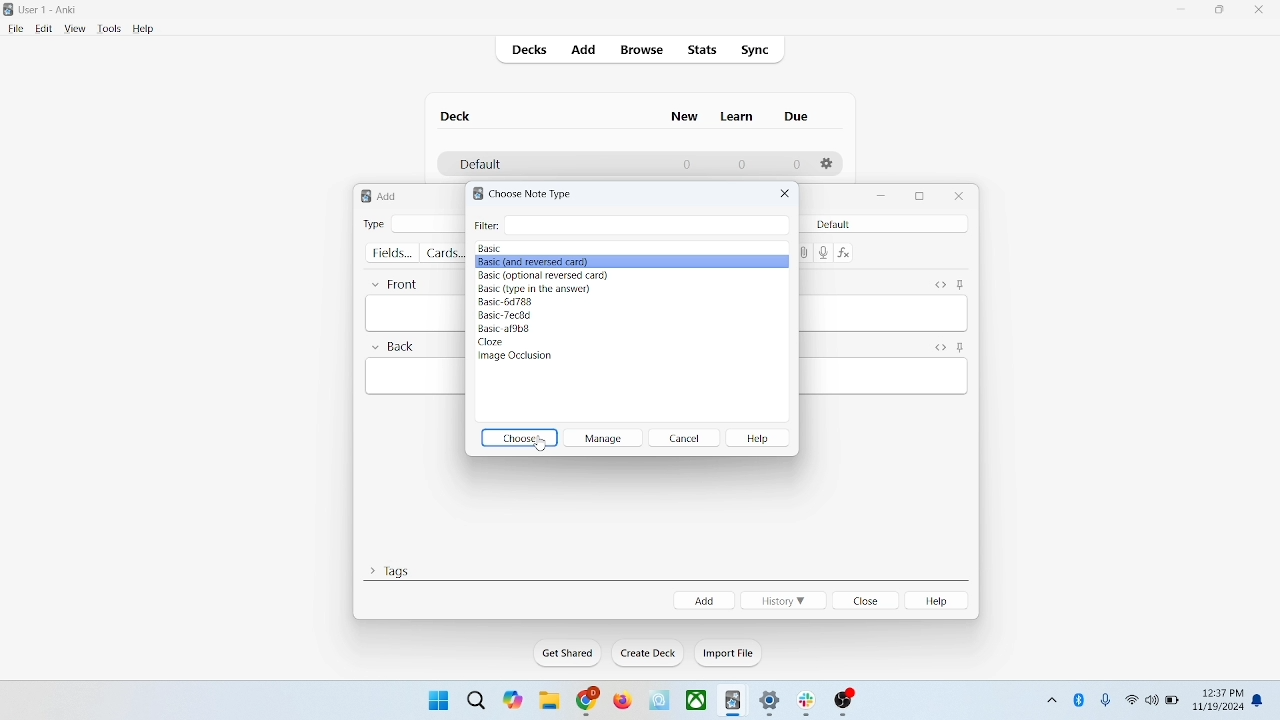 This screenshot has height=720, width=1280. I want to click on help, so click(763, 440).